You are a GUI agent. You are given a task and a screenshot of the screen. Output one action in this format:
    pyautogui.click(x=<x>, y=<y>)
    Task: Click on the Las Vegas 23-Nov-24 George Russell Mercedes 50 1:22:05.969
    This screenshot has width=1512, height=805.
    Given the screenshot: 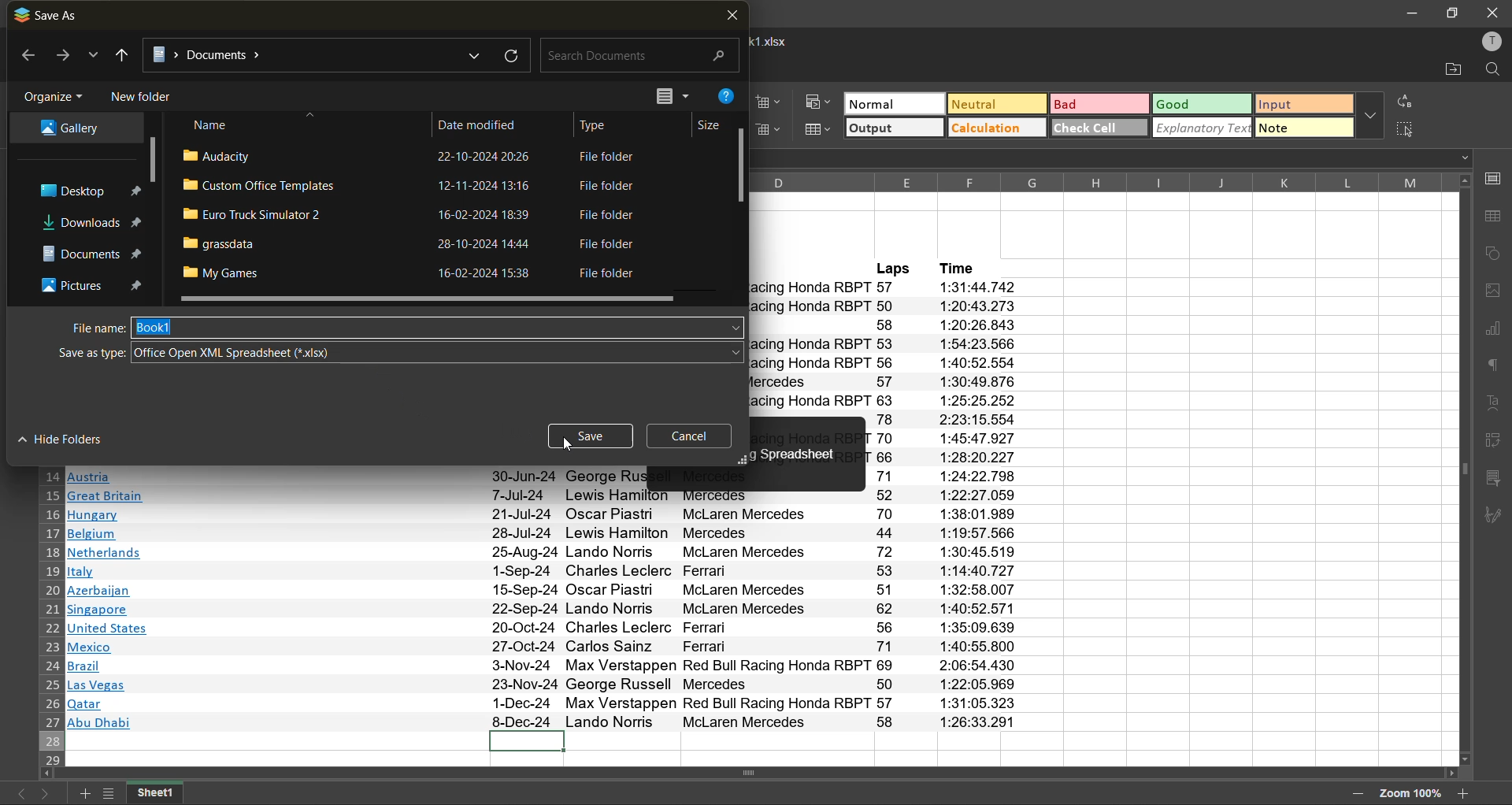 What is the action you would take?
    pyautogui.click(x=547, y=686)
    